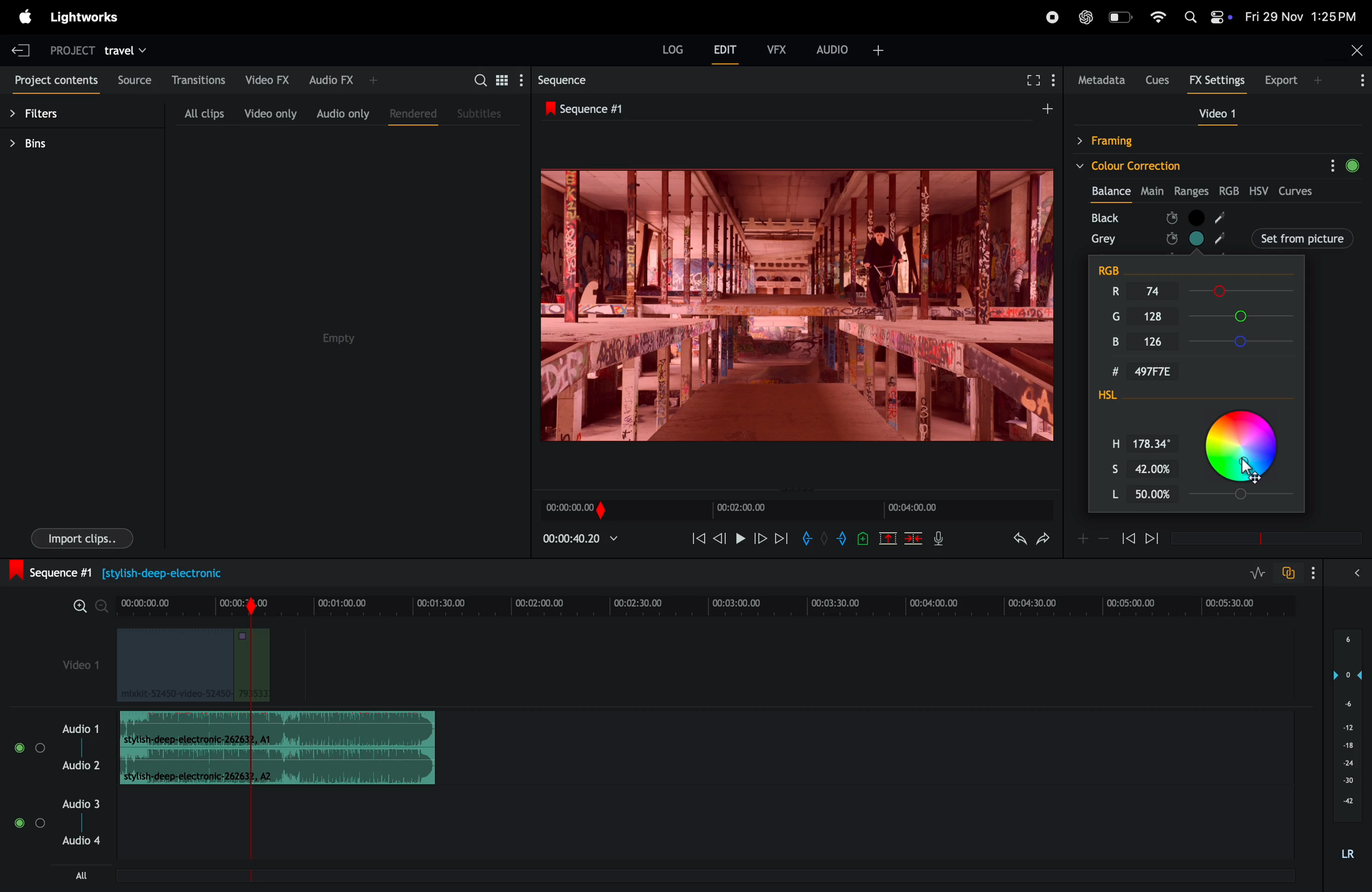 This screenshot has height=892, width=1372. Describe the element at coordinates (726, 53) in the screenshot. I see `edit` at that location.